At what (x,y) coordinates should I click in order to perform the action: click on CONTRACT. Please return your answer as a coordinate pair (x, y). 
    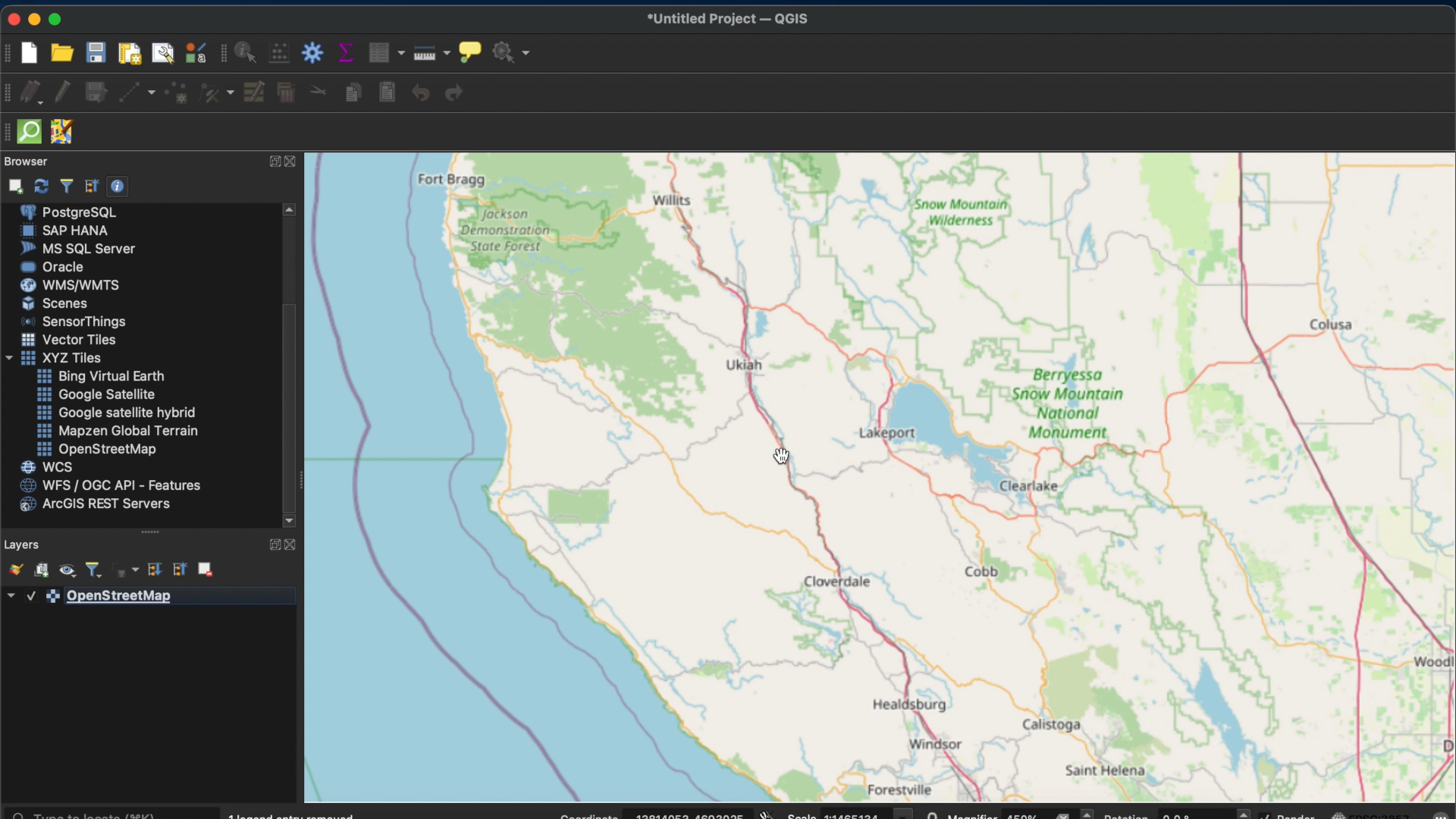
    Looking at the image, I should click on (293, 546).